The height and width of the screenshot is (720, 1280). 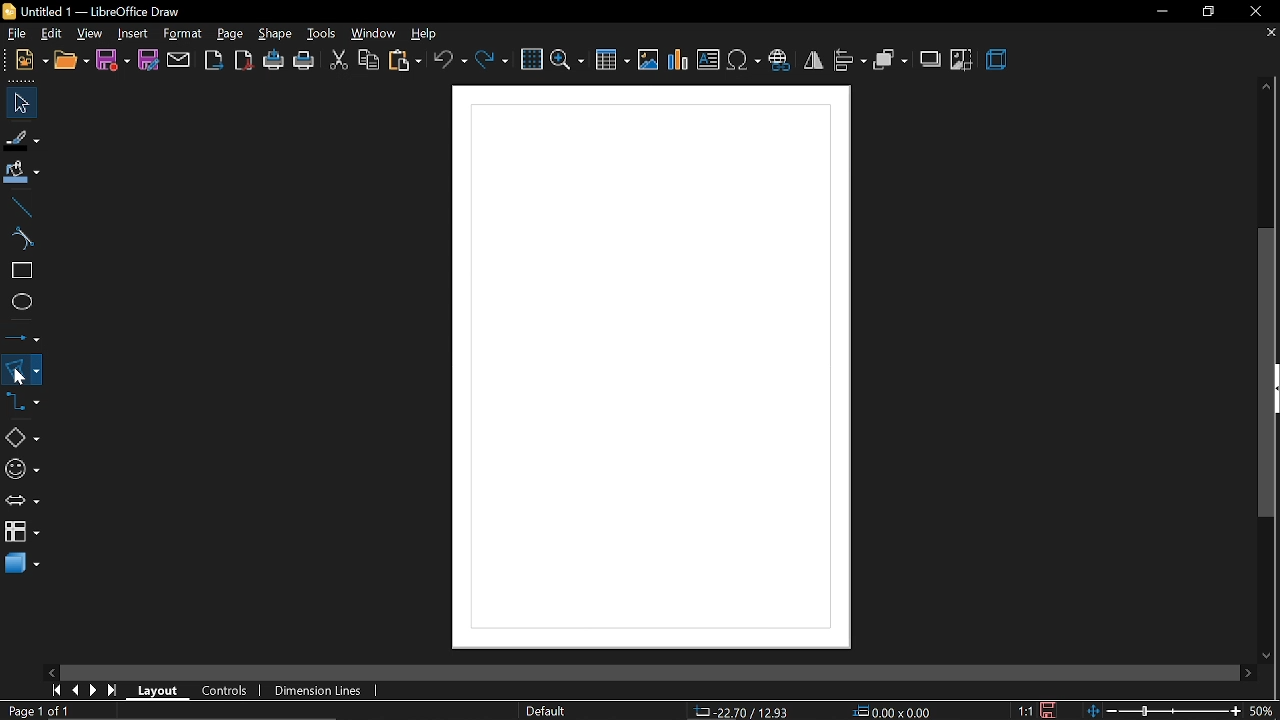 I want to click on shape, so click(x=275, y=37).